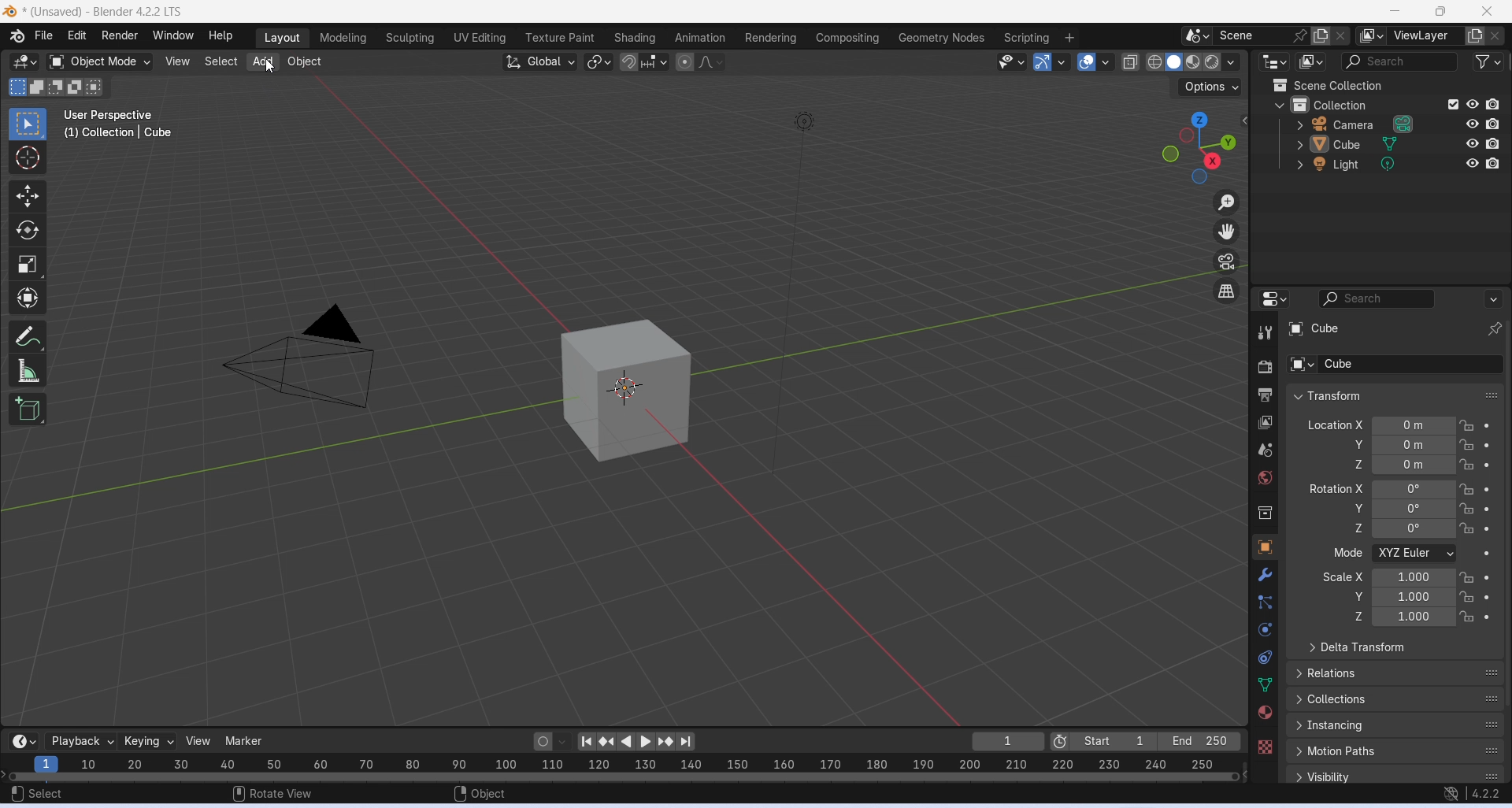 The image size is (1512, 808). Describe the element at coordinates (1415, 425) in the screenshot. I see `location` at that location.